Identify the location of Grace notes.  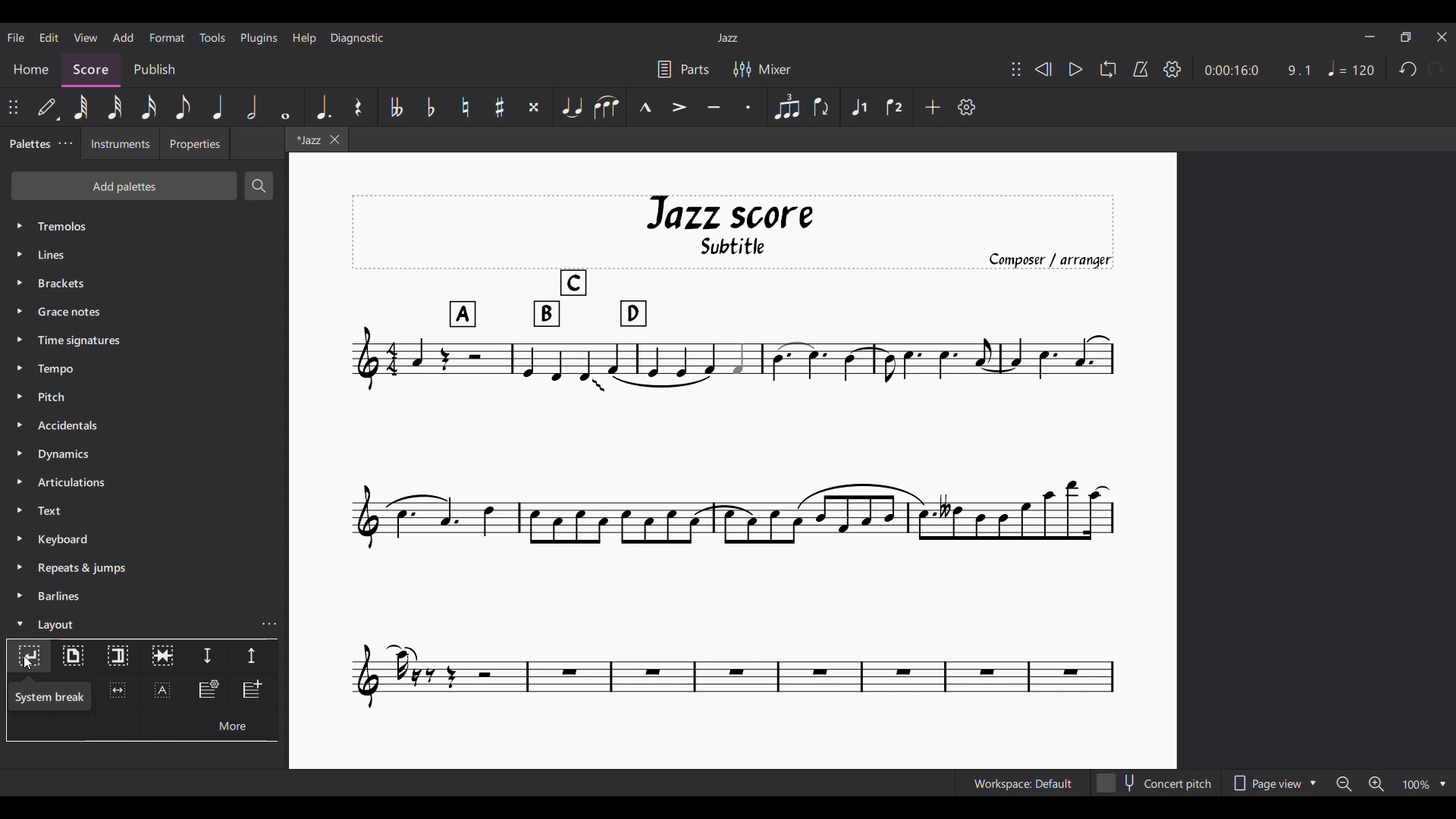
(144, 312).